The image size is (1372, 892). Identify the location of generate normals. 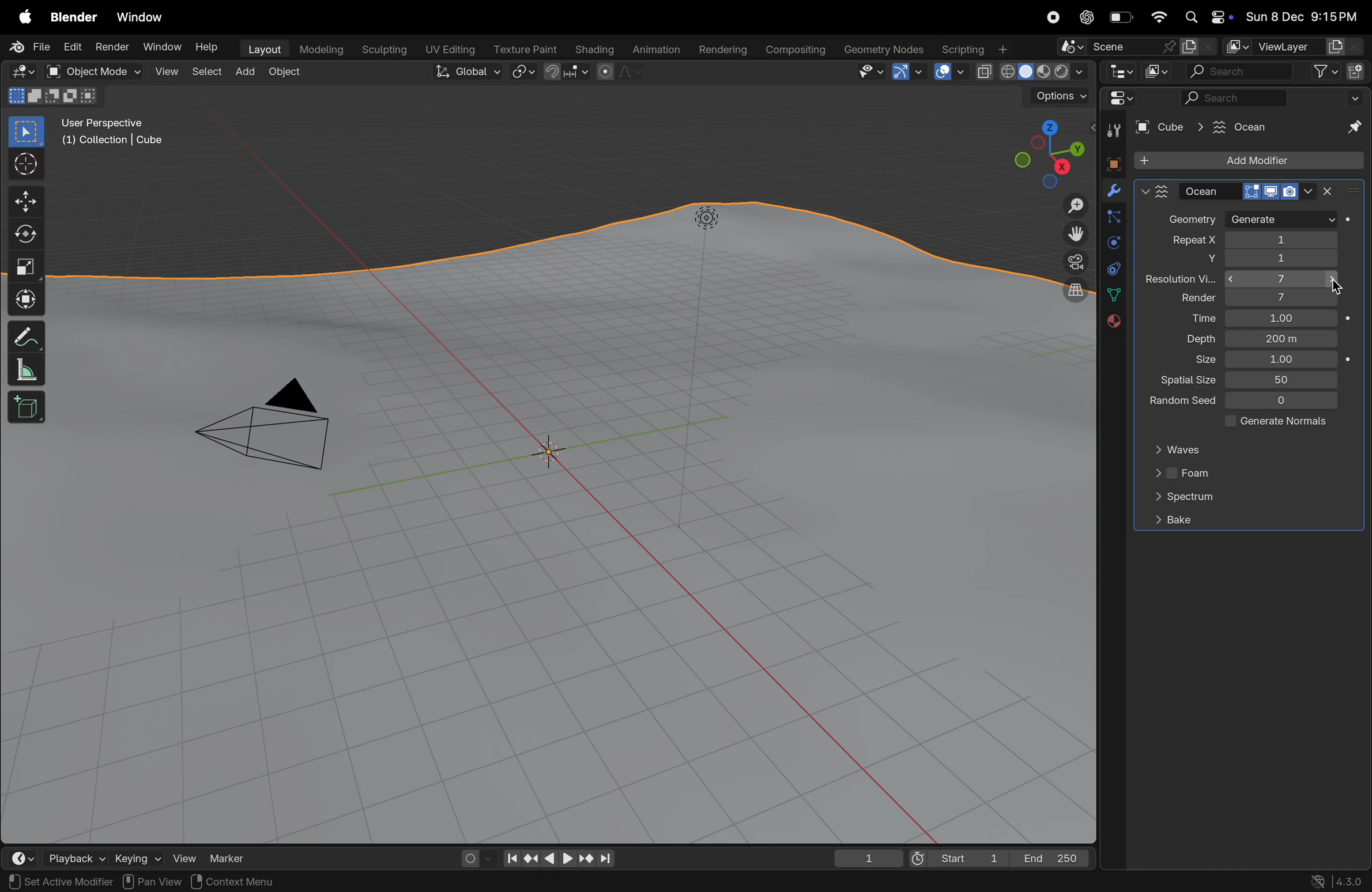
(1272, 423).